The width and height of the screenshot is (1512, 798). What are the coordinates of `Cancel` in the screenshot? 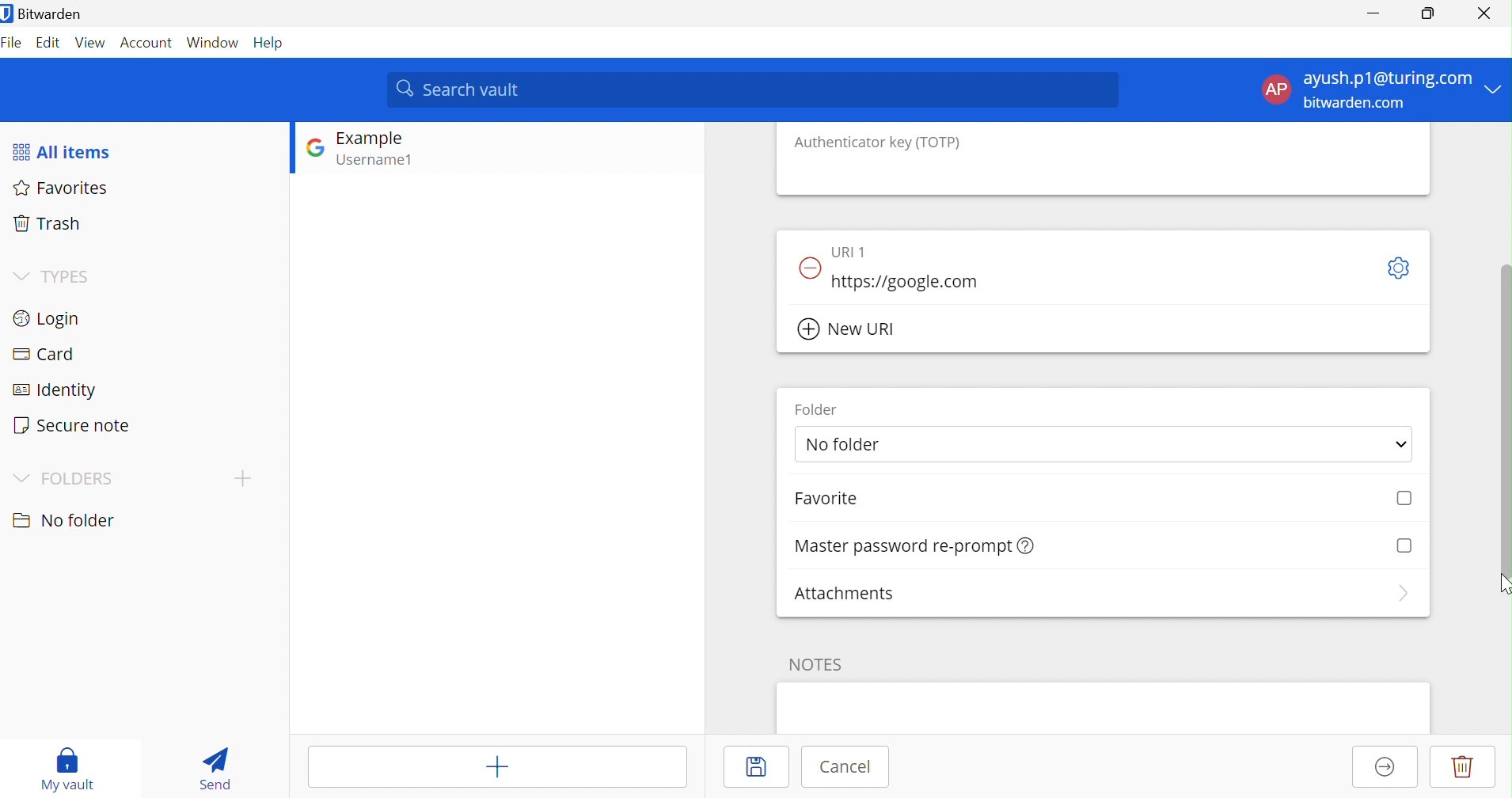 It's located at (845, 768).